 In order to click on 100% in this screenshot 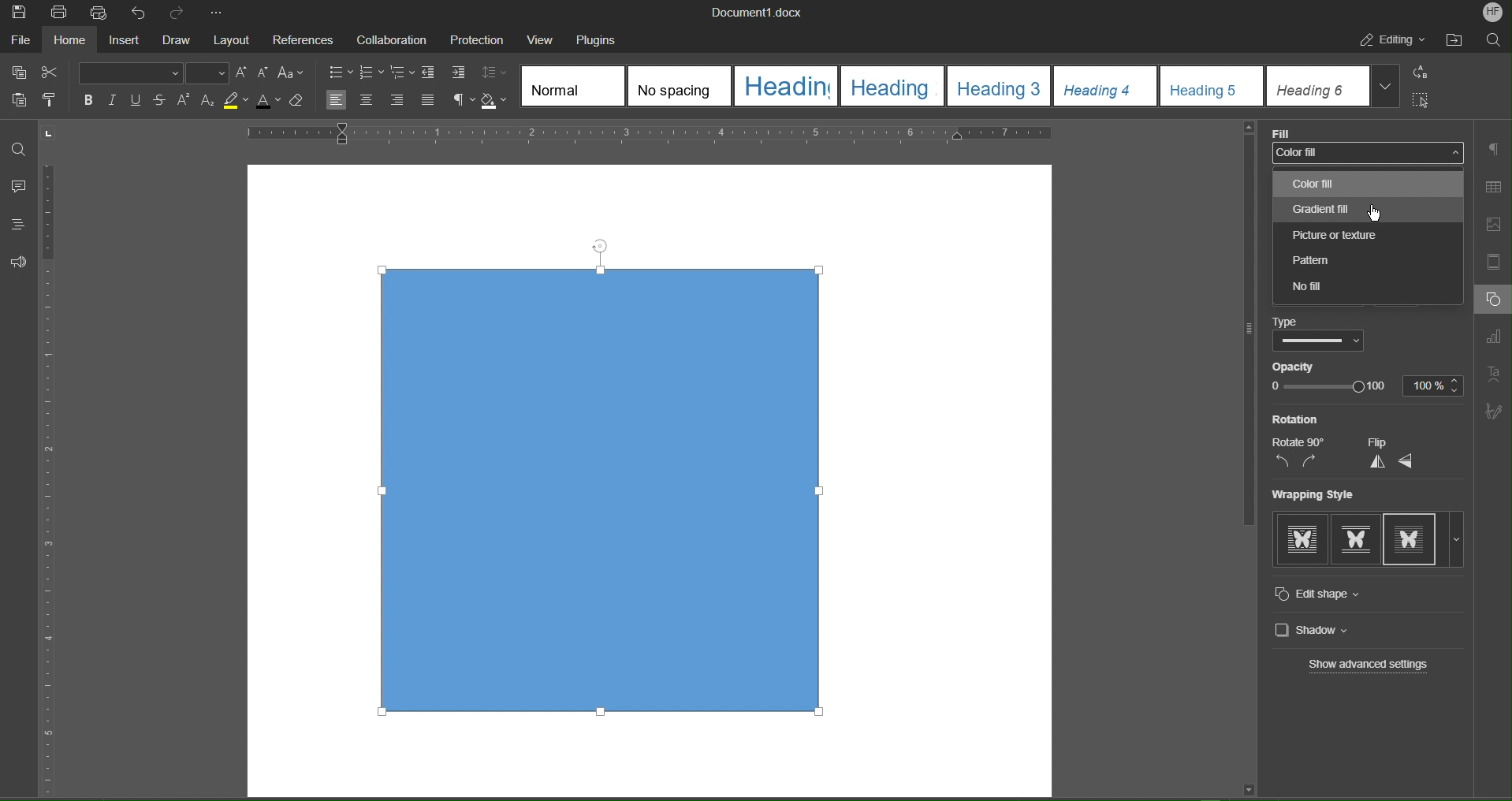, I will do `click(1435, 386)`.